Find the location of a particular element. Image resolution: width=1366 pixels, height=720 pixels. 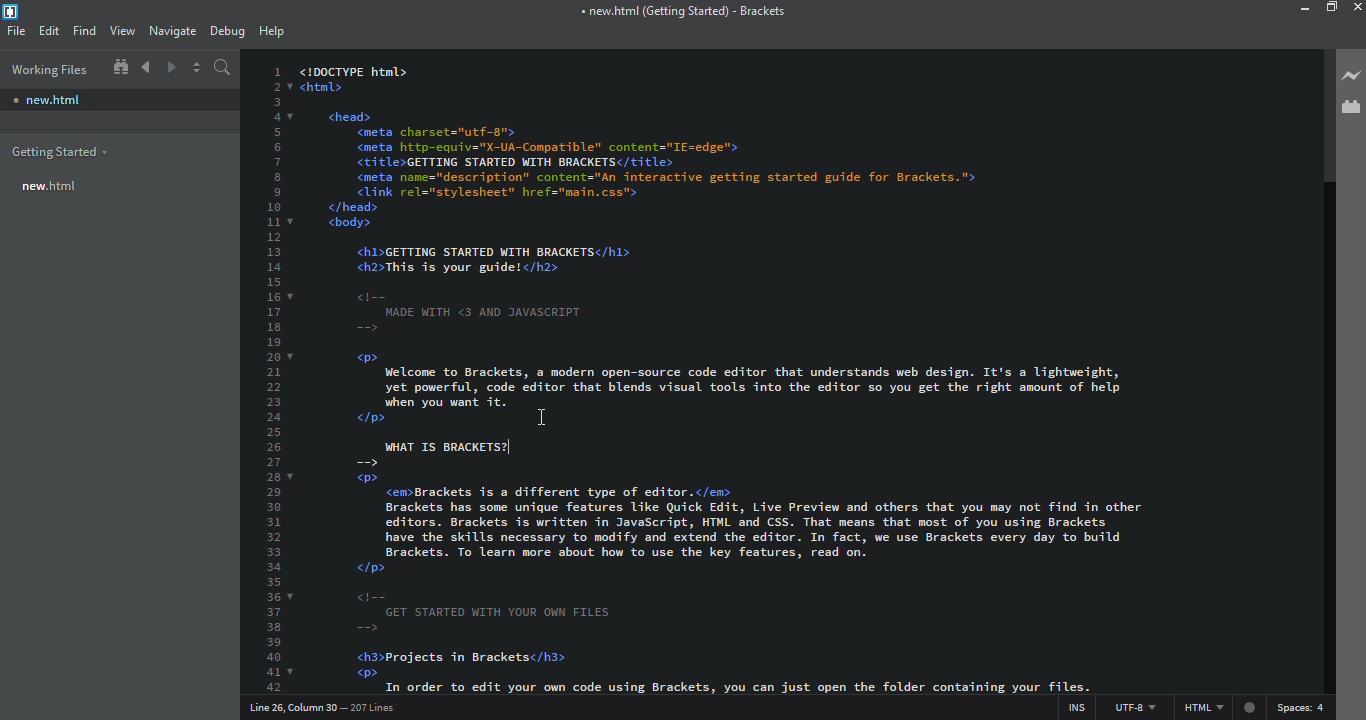

new is located at coordinates (48, 186).